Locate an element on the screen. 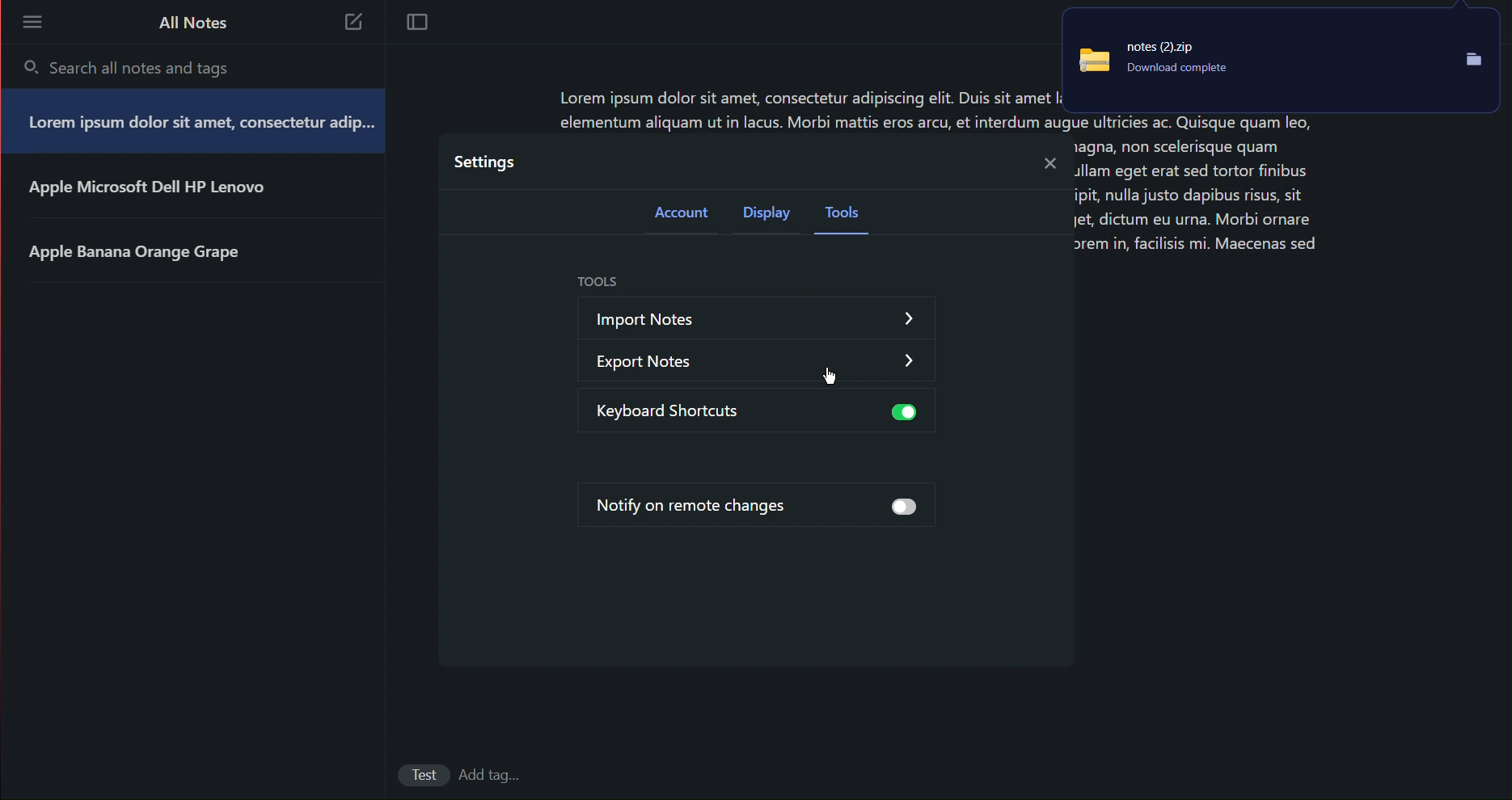 Image resolution: width=1512 pixels, height=800 pixels. button is located at coordinates (903, 410).